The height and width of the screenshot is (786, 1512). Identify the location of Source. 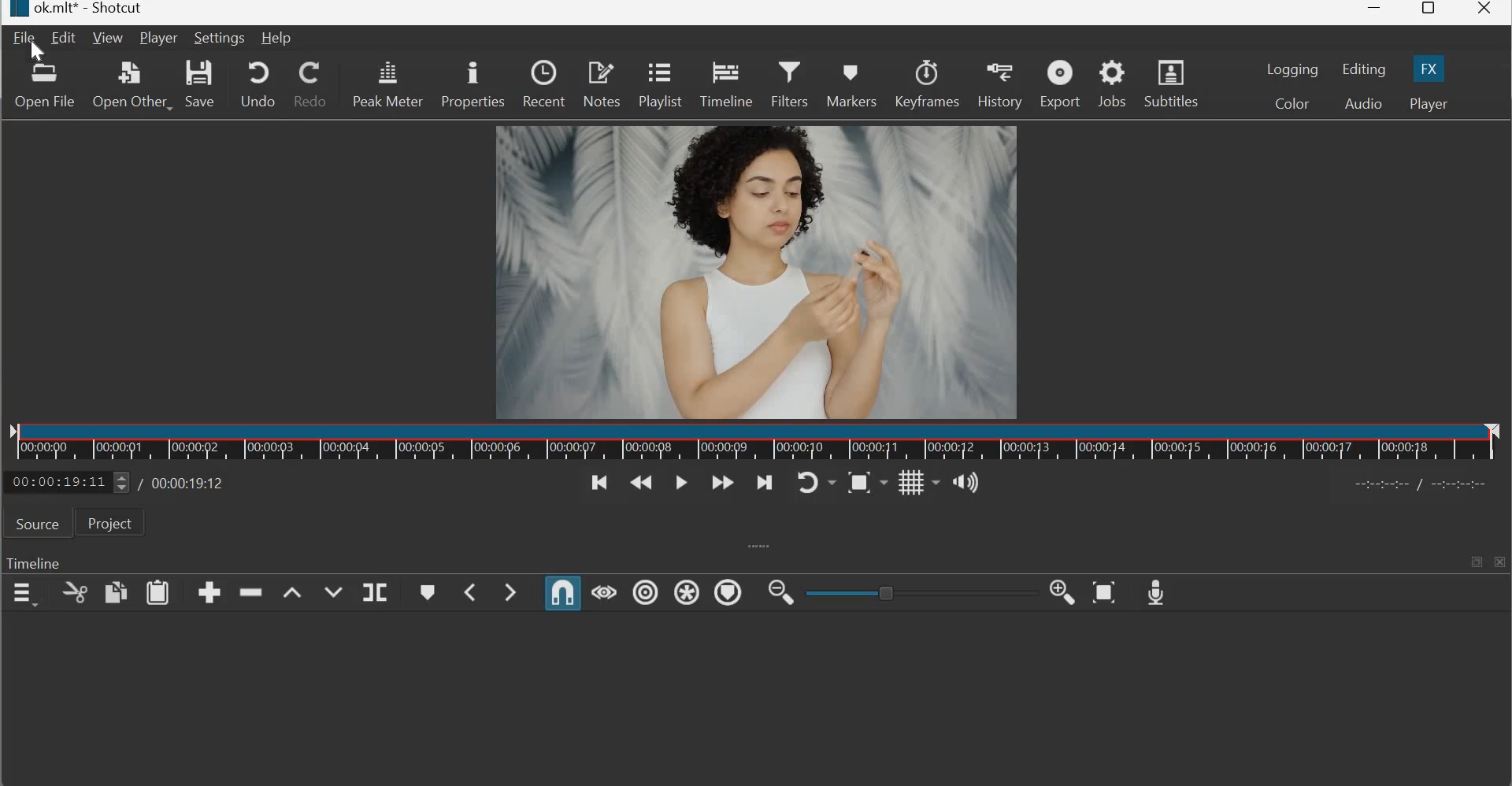
(36, 524).